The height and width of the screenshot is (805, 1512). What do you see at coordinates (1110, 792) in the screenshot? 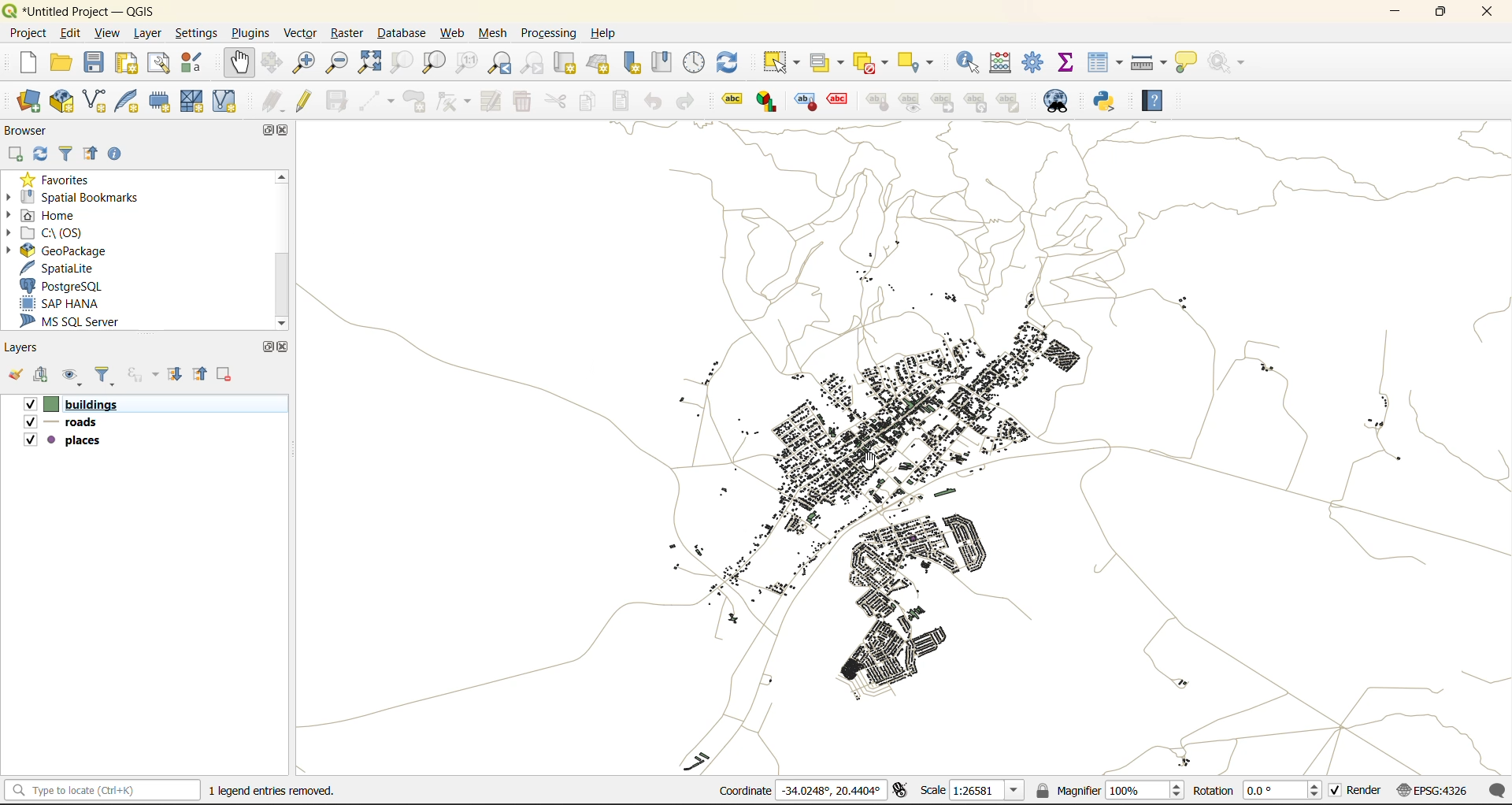
I see `magnifier` at bounding box center [1110, 792].